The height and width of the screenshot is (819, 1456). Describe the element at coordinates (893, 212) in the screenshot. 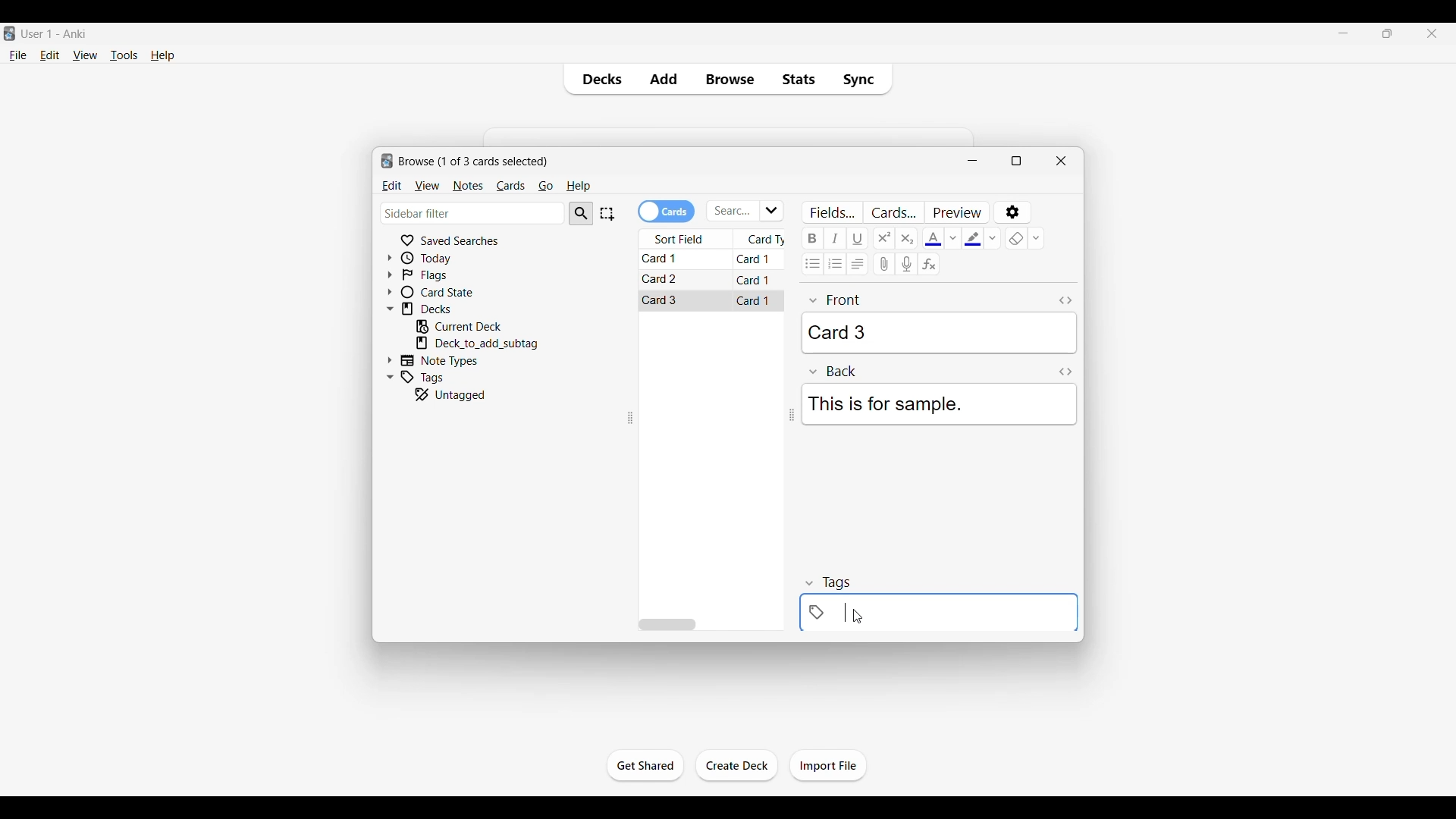

I see `Customize card templates` at that location.